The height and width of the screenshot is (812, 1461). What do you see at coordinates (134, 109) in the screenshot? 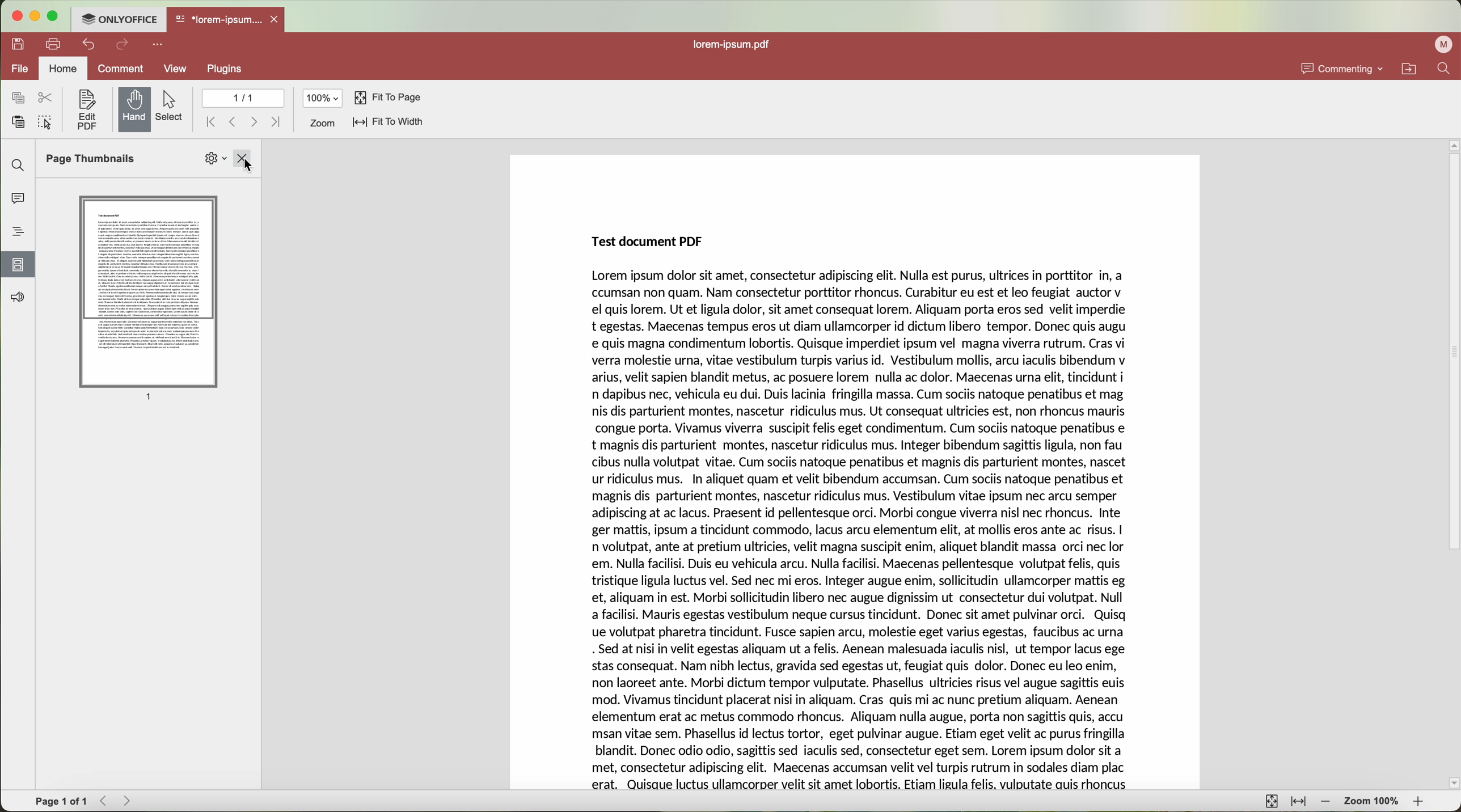
I see `hand` at bounding box center [134, 109].